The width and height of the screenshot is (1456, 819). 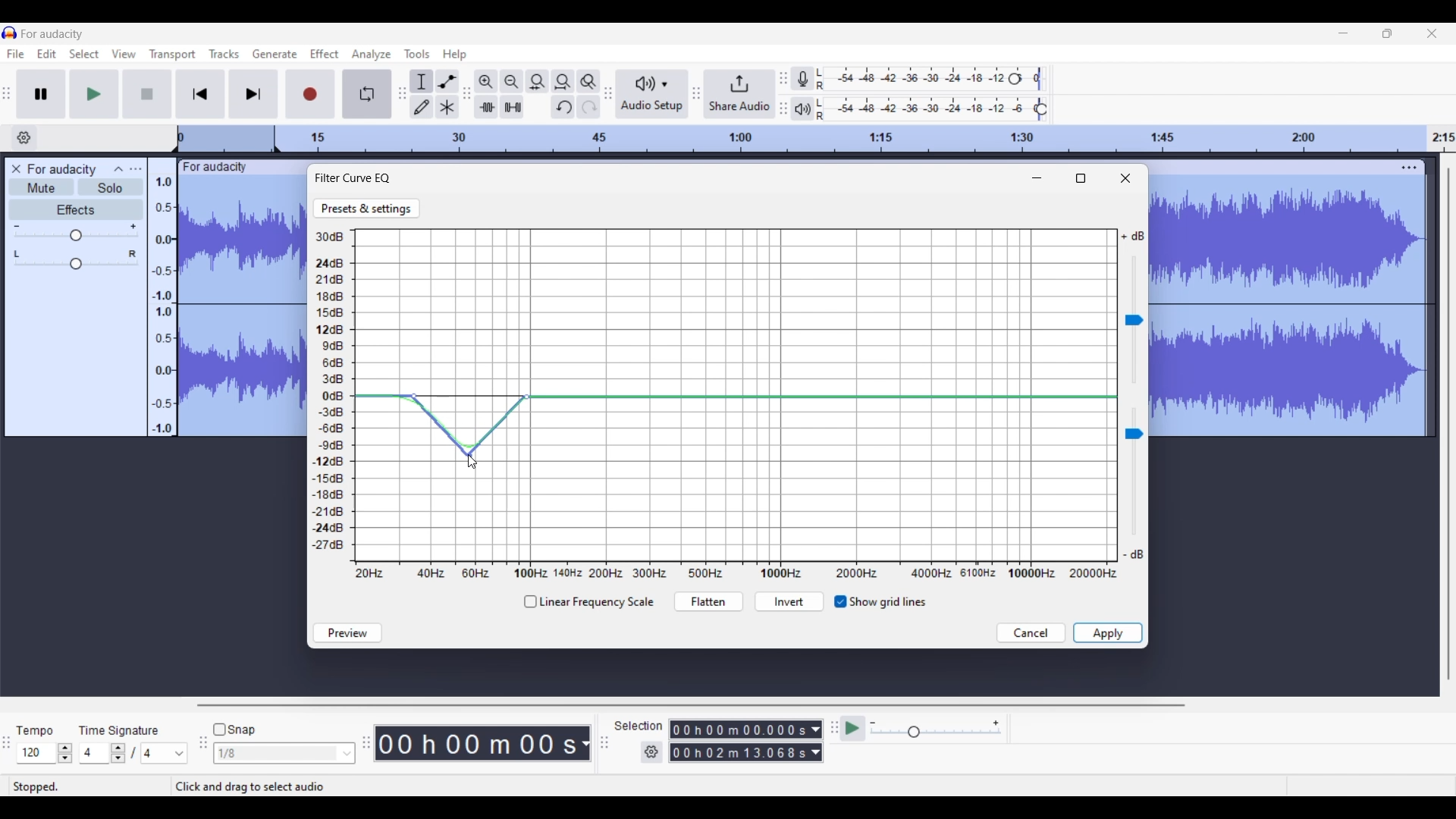 I want to click on Horizontal slide bar, so click(x=691, y=705).